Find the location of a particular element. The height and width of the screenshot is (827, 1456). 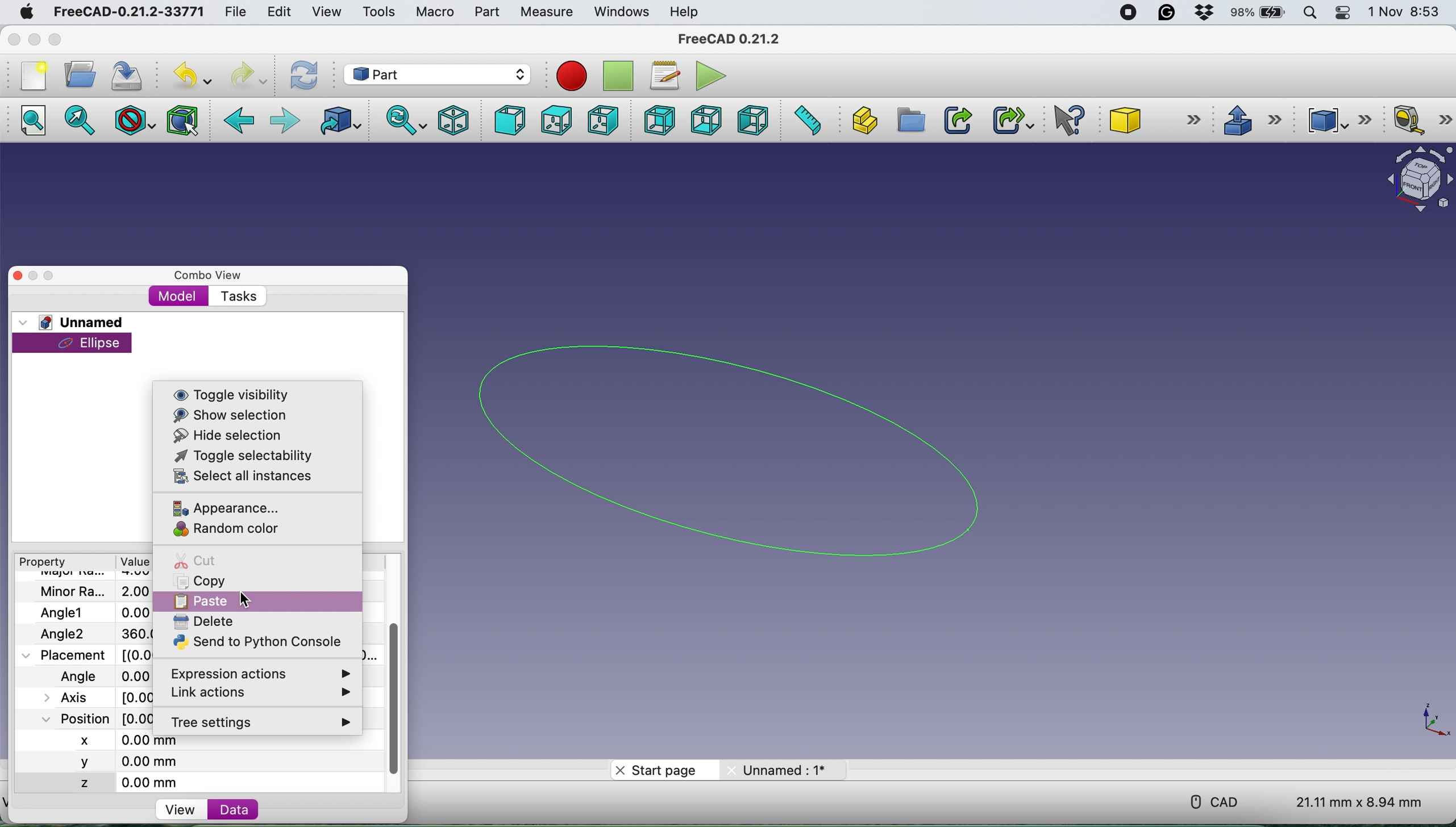

bounding box is located at coordinates (181, 120).